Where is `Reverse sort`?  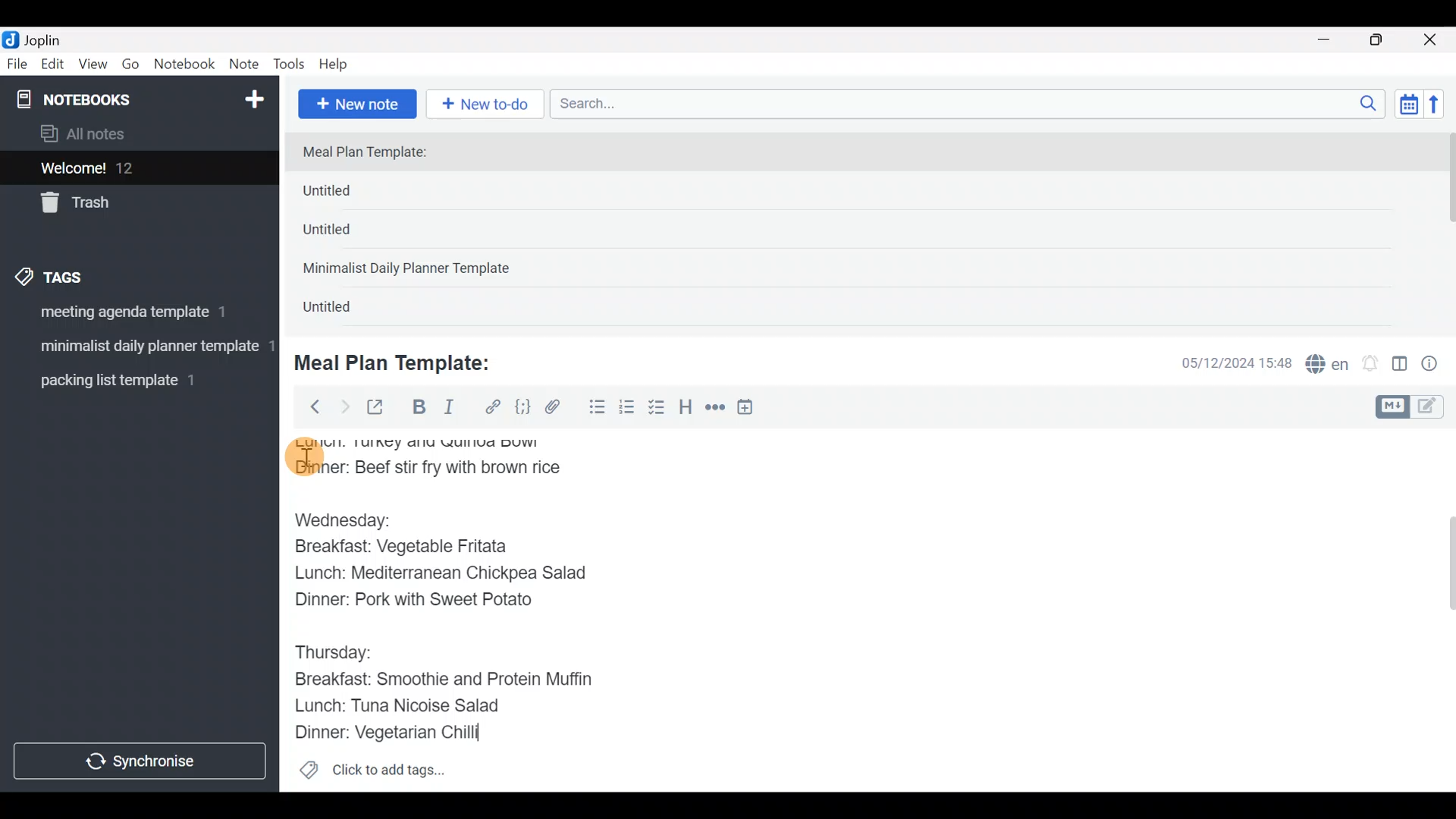
Reverse sort is located at coordinates (1442, 108).